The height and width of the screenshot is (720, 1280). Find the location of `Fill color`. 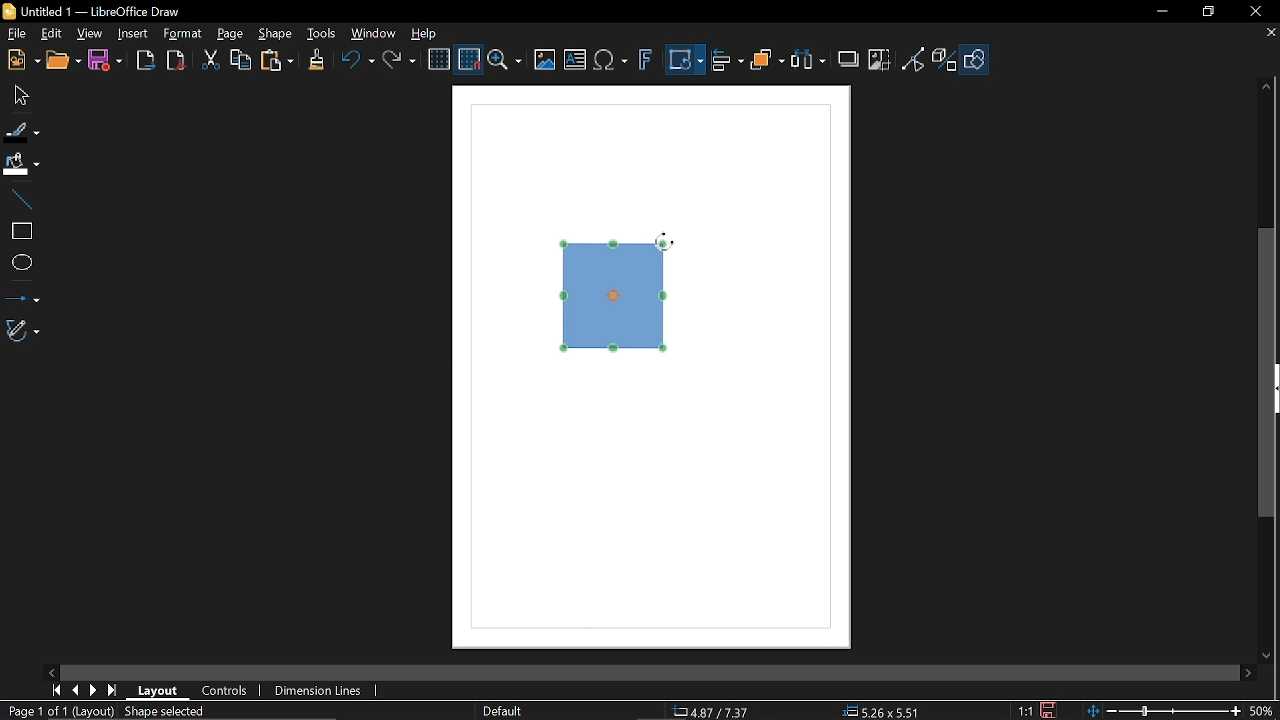

Fill color is located at coordinates (22, 164).